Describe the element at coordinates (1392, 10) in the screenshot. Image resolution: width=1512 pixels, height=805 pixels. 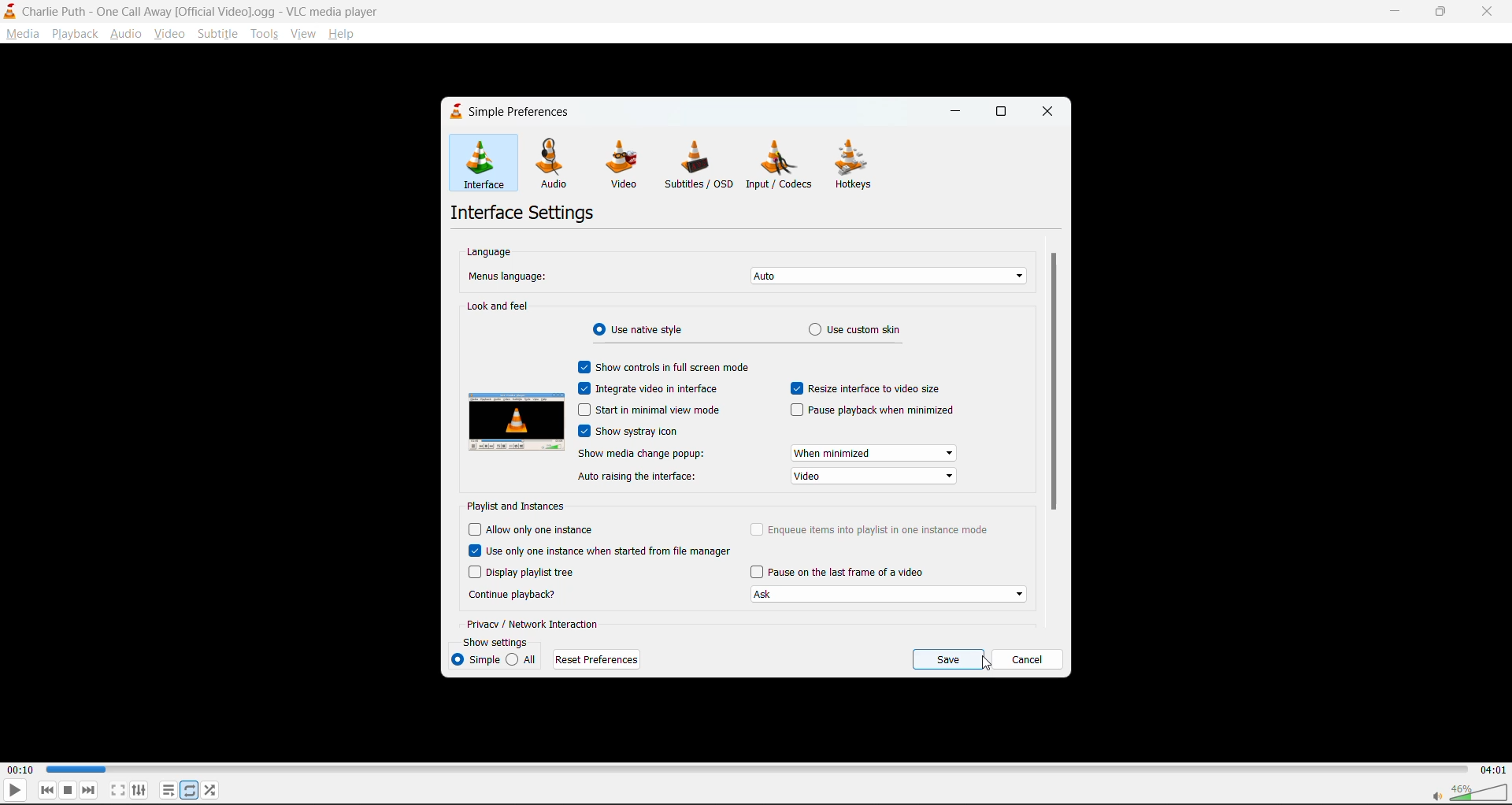
I see `minimize` at that location.